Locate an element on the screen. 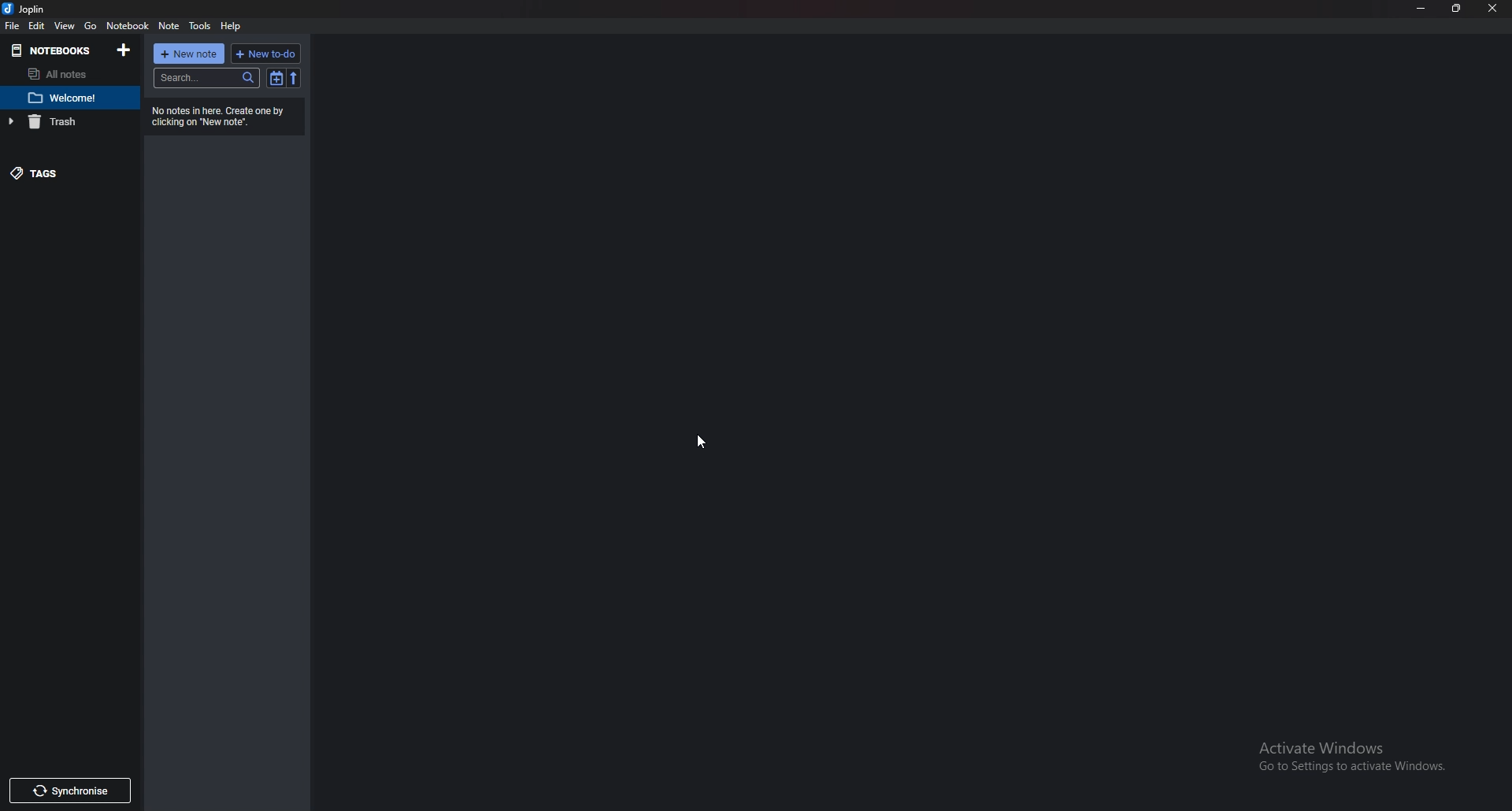  Tools is located at coordinates (200, 25).